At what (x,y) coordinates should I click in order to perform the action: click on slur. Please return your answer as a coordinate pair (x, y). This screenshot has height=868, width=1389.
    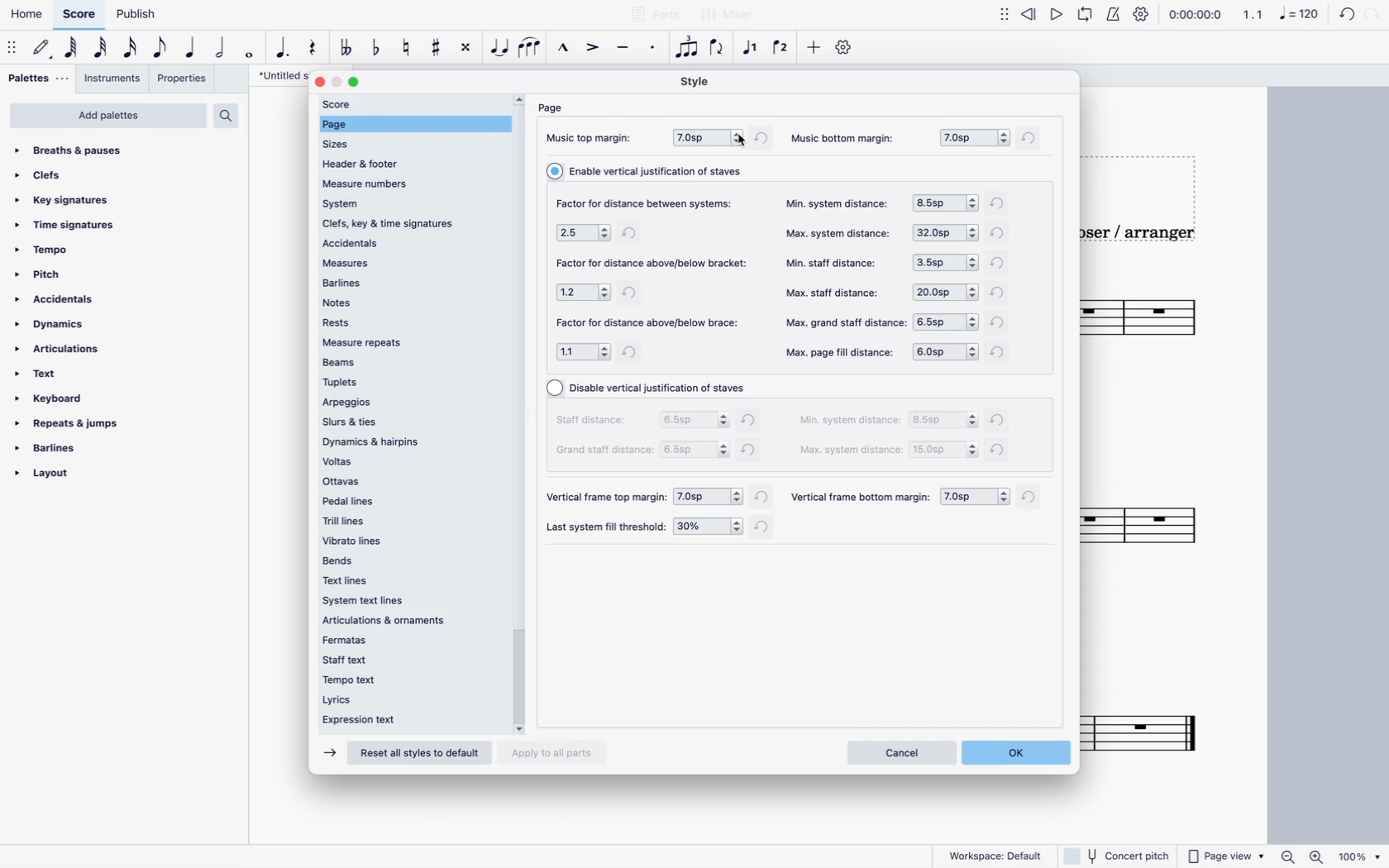
    Looking at the image, I should click on (532, 51).